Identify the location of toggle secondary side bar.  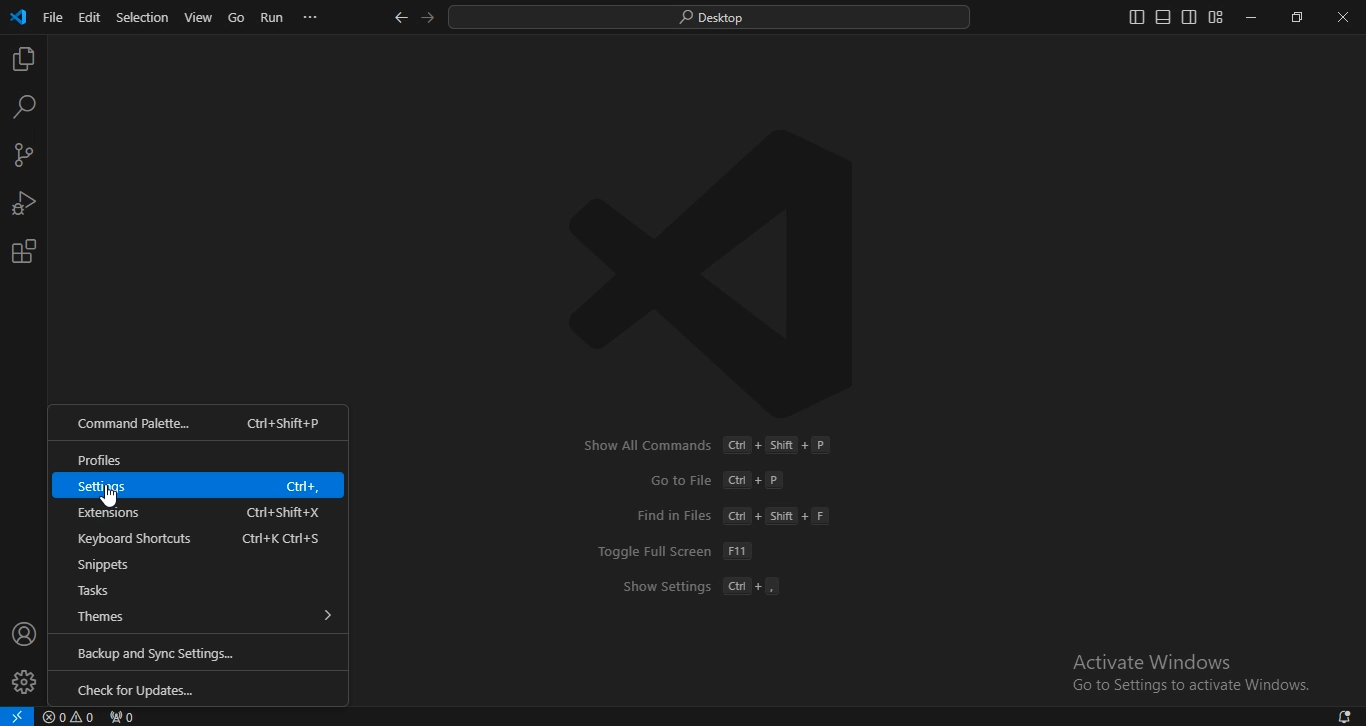
(1188, 16).